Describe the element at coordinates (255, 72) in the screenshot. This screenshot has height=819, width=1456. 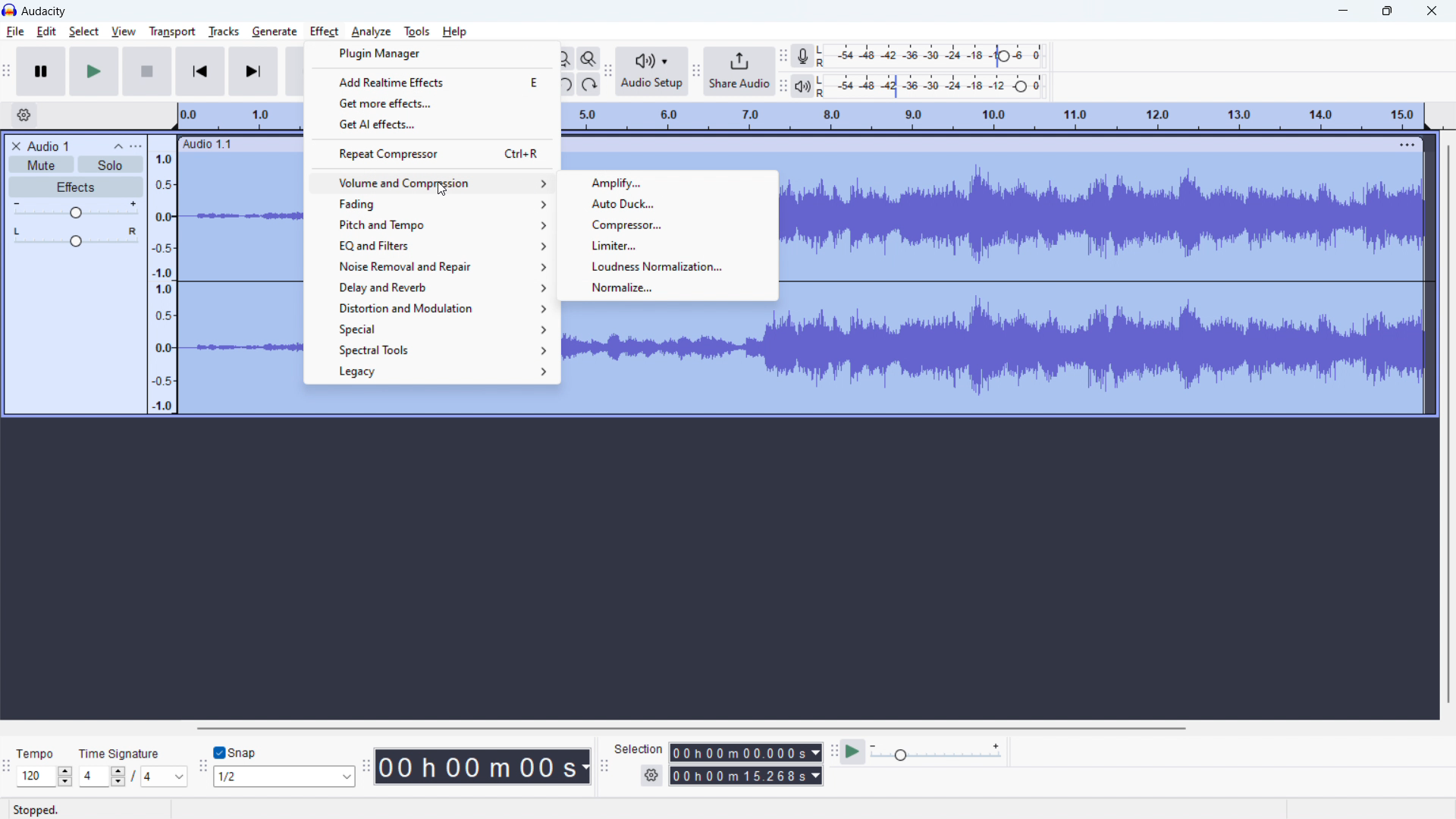
I see `skip to end` at that location.